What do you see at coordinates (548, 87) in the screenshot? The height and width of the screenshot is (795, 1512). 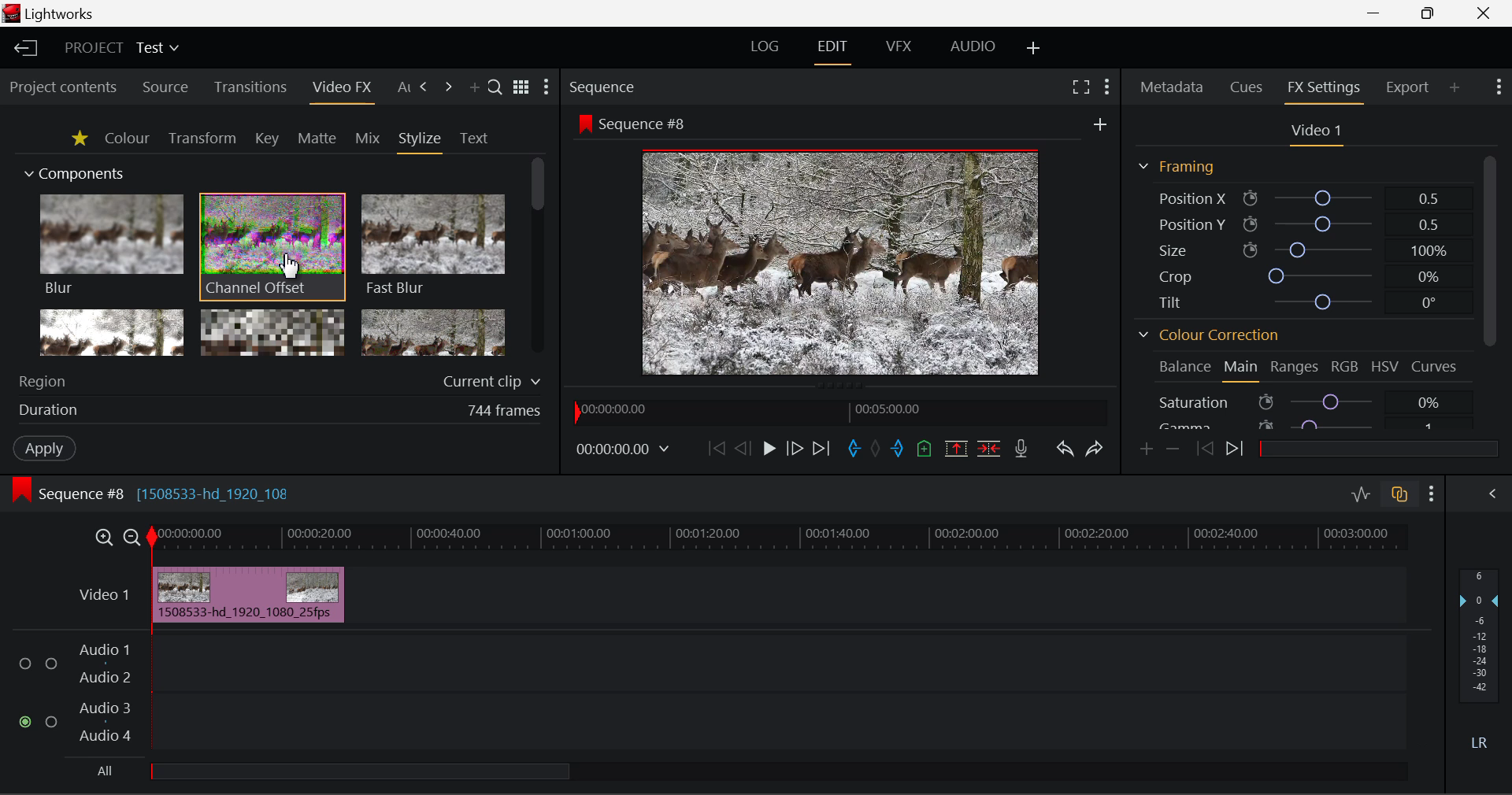 I see `Show Settings` at bounding box center [548, 87].